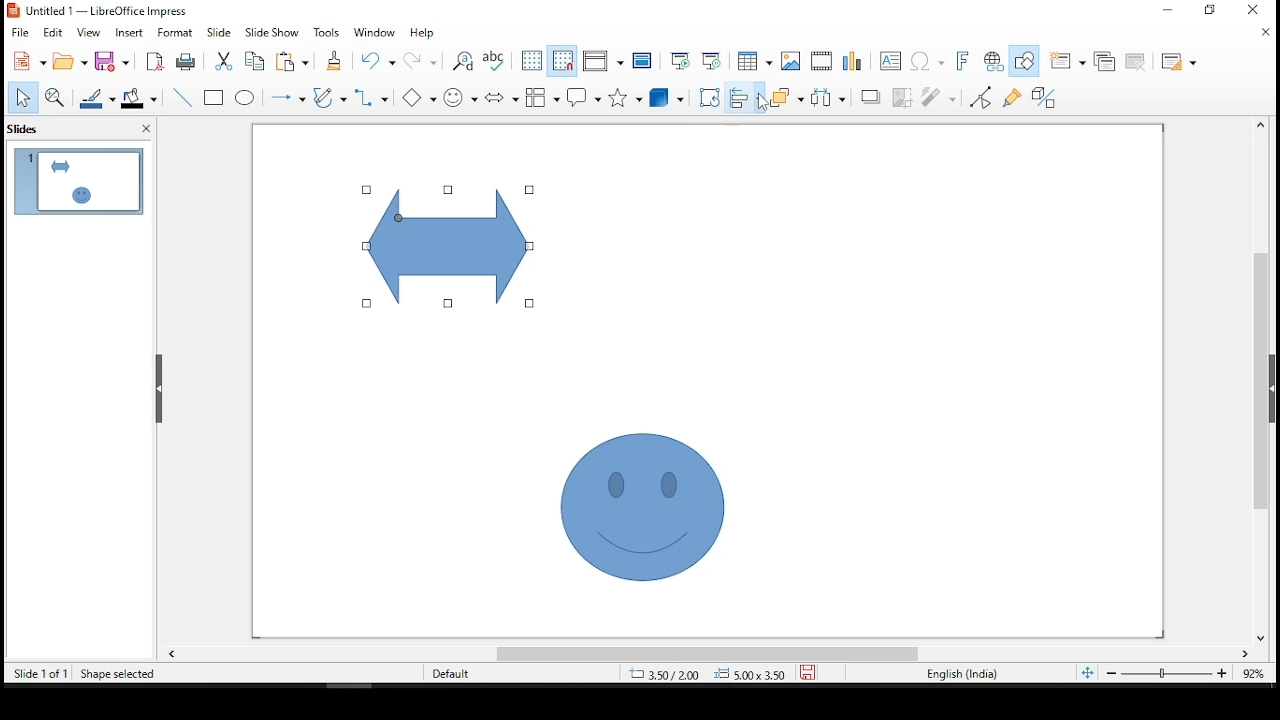 This screenshot has height=720, width=1280. What do you see at coordinates (585, 99) in the screenshot?
I see `callout shapes` at bounding box center [585, 99].